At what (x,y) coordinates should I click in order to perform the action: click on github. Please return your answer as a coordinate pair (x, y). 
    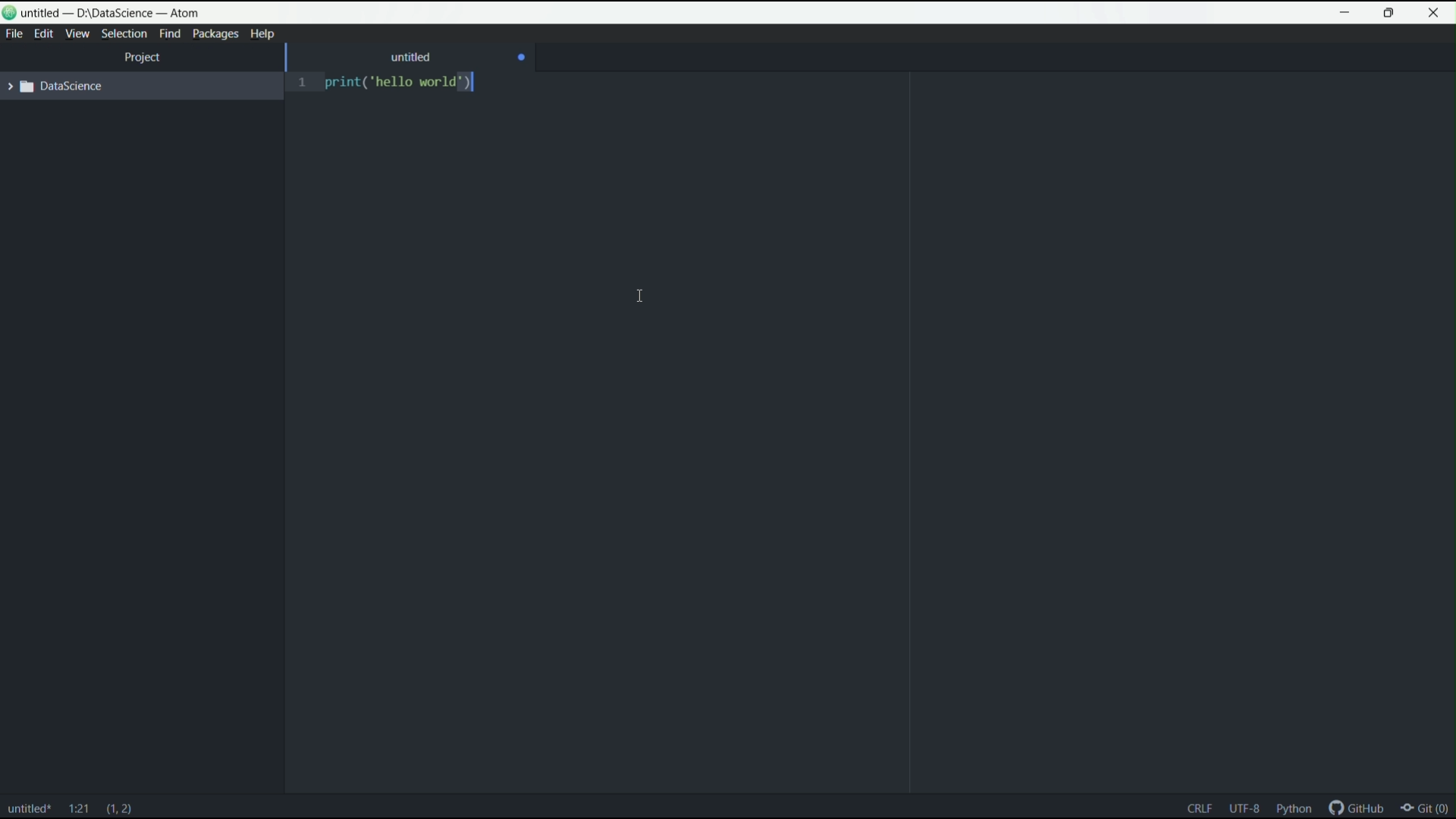
    Looking at the image, I should click on (1359, 809).